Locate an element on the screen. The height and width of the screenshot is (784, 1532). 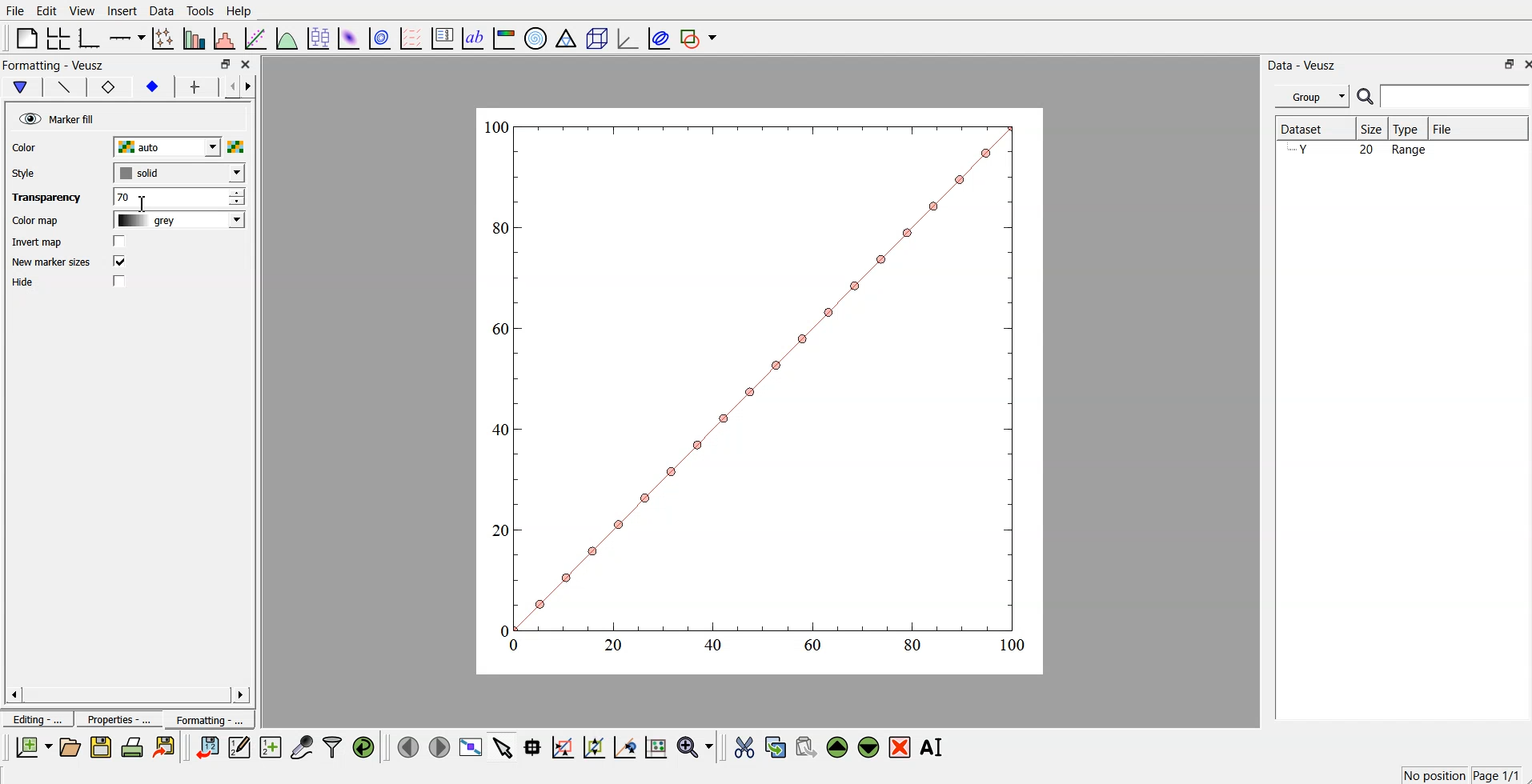
Min/Max is located at coordinates (226, 64).